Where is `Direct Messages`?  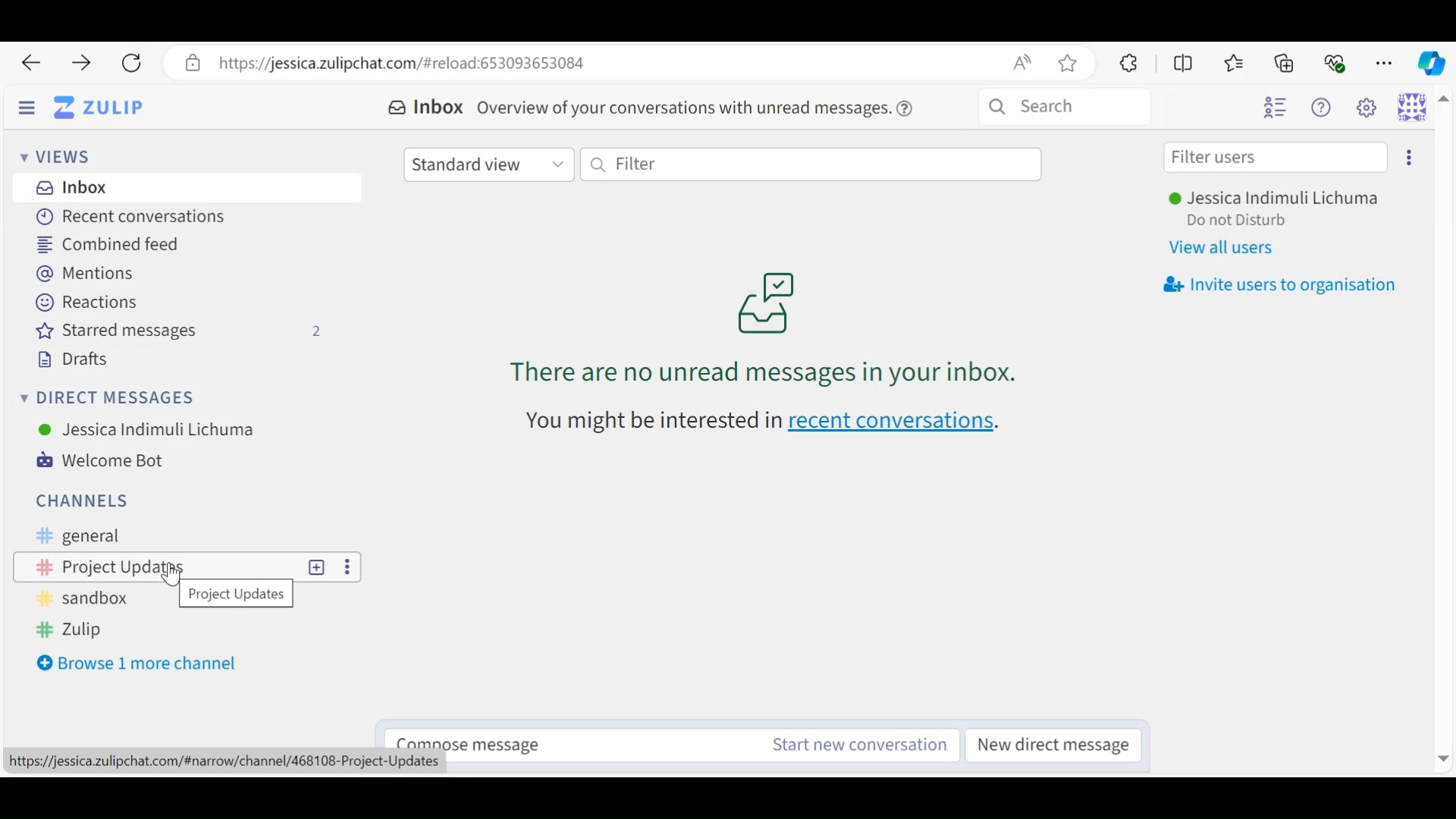 Direct Messages is located at coordinates (111, 398).